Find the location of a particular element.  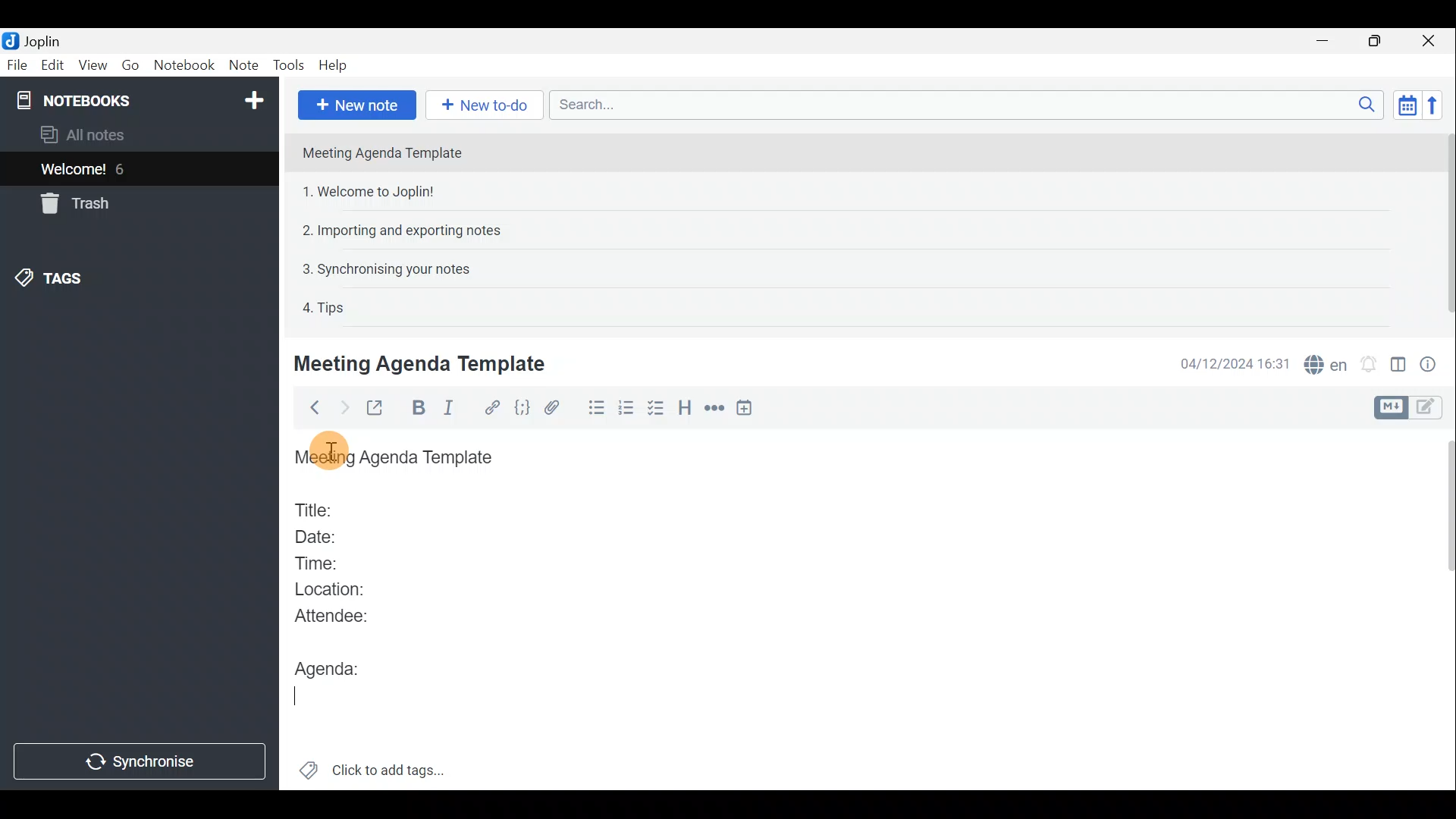

Cursor is located at coordinates (300, 698).